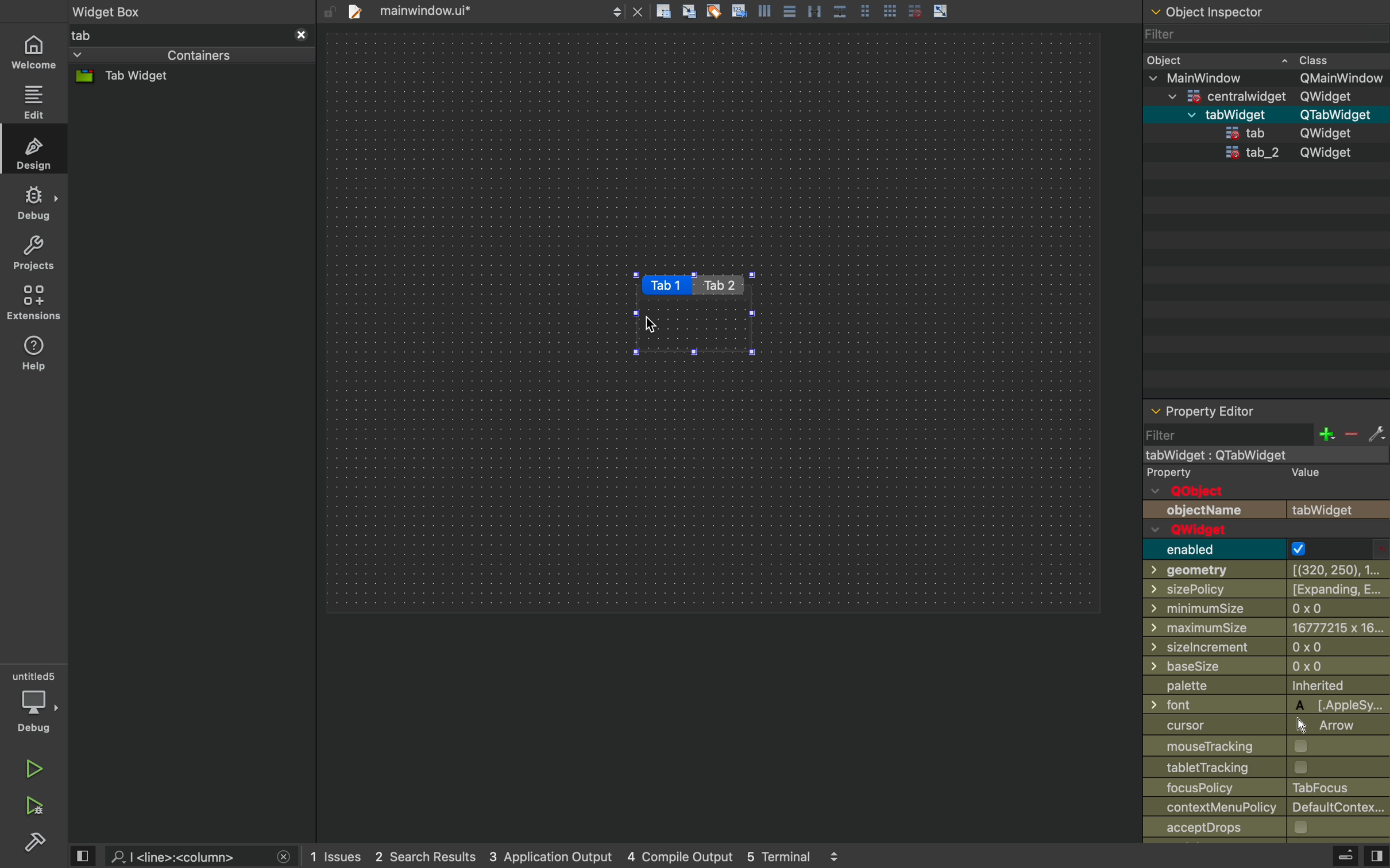  Describe the element at coordinates (1268, 669) in the screenshot. I see `basesize` at that location.